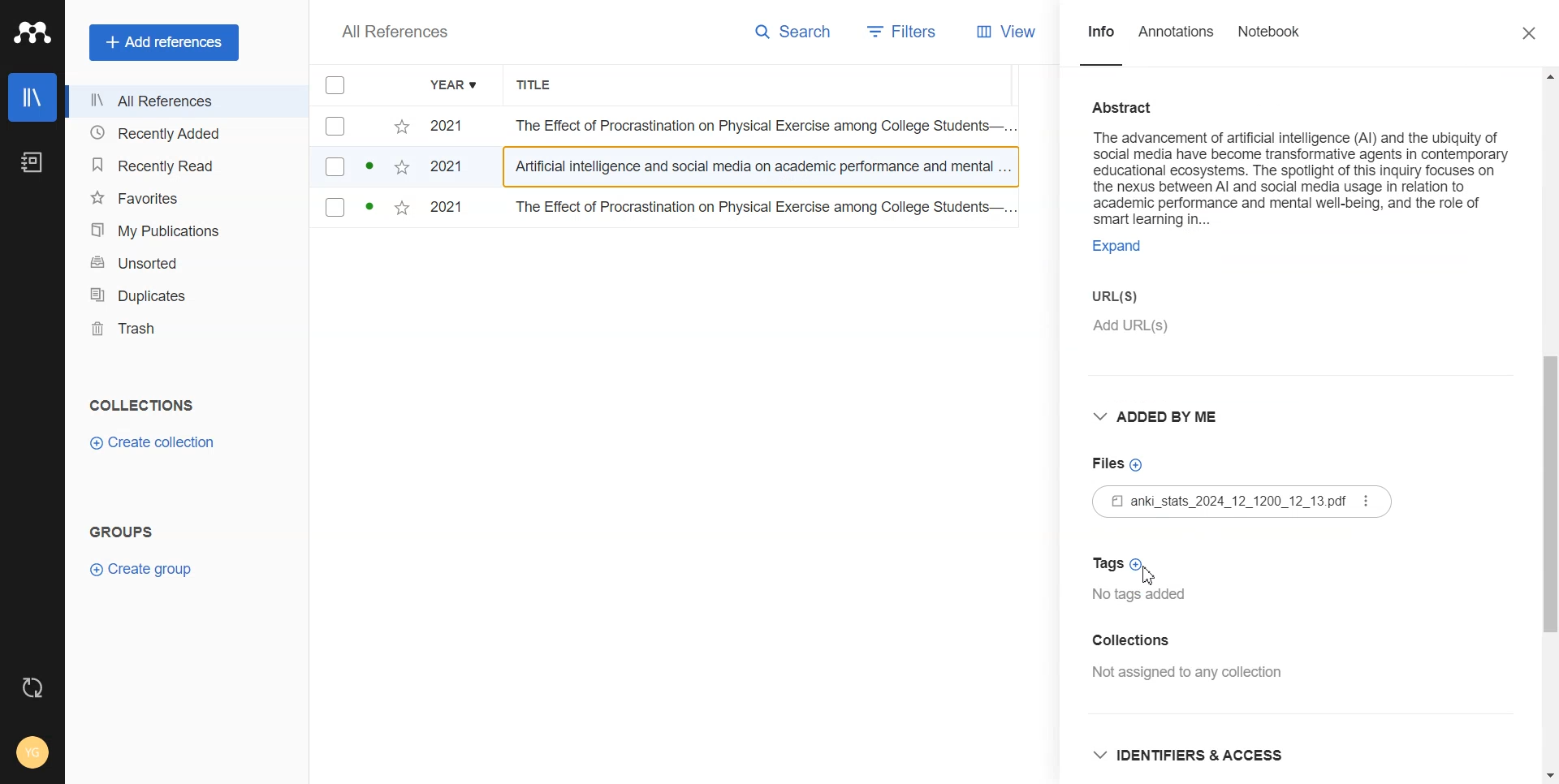 This screenshot has height=784, width=1559. What do you see at coordinates (1170, 563) in the screenshot?
I see `Add Tag` at bounding box center [1170, 563].